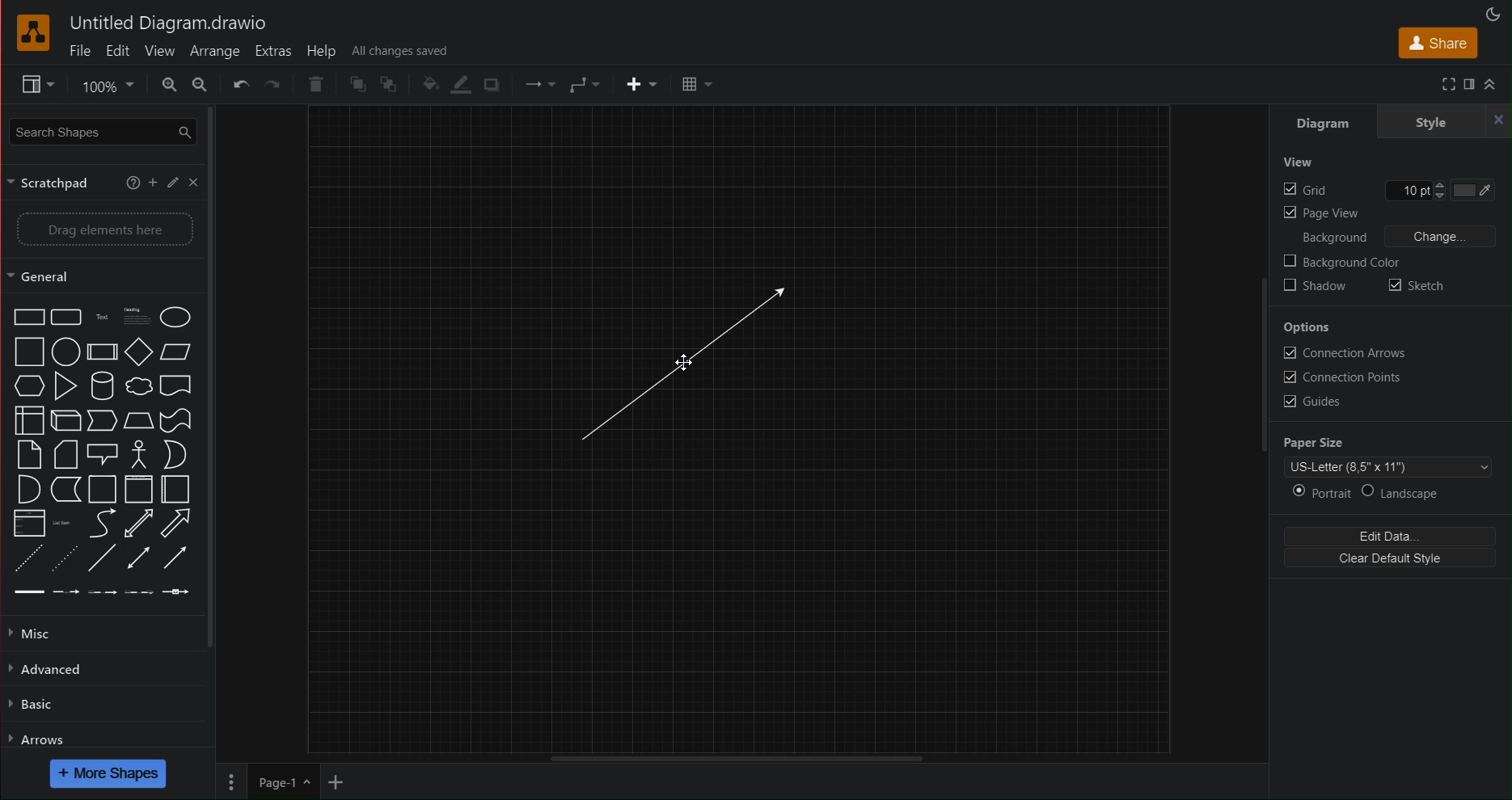 The image size is (1512, 800). I want to click on Edit, so click(118, 51).